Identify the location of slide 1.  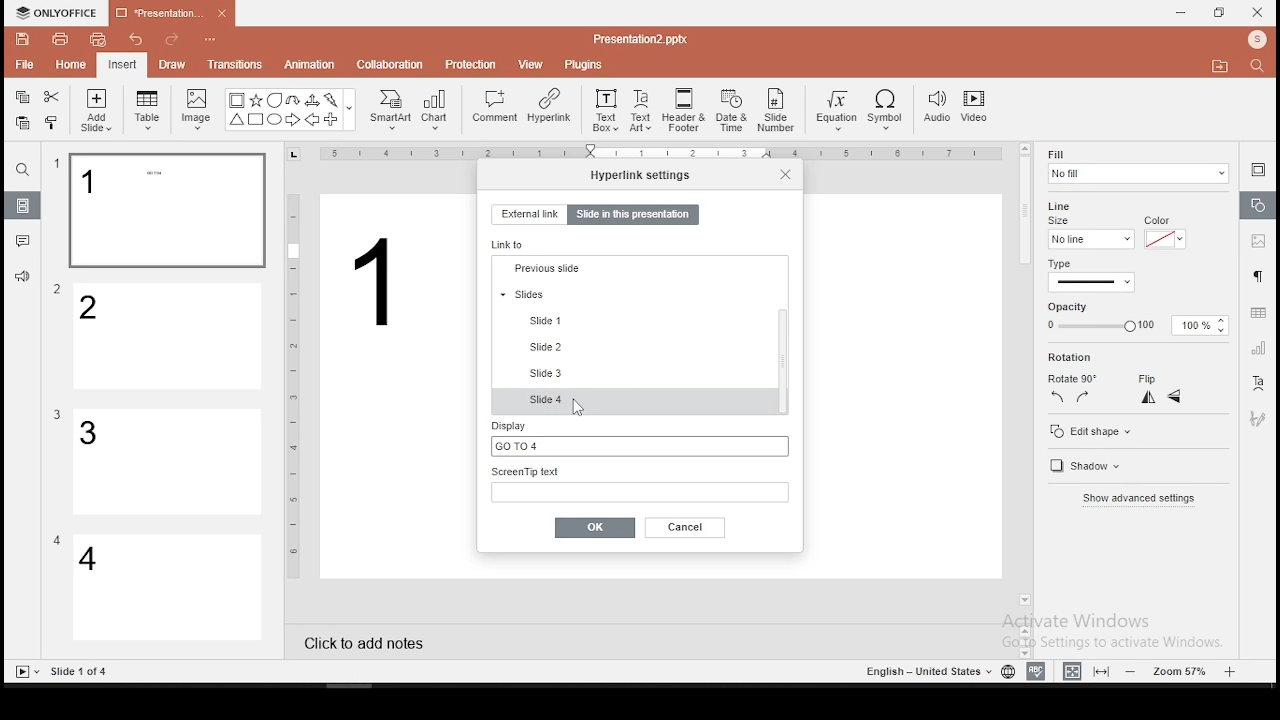
(166, 211).